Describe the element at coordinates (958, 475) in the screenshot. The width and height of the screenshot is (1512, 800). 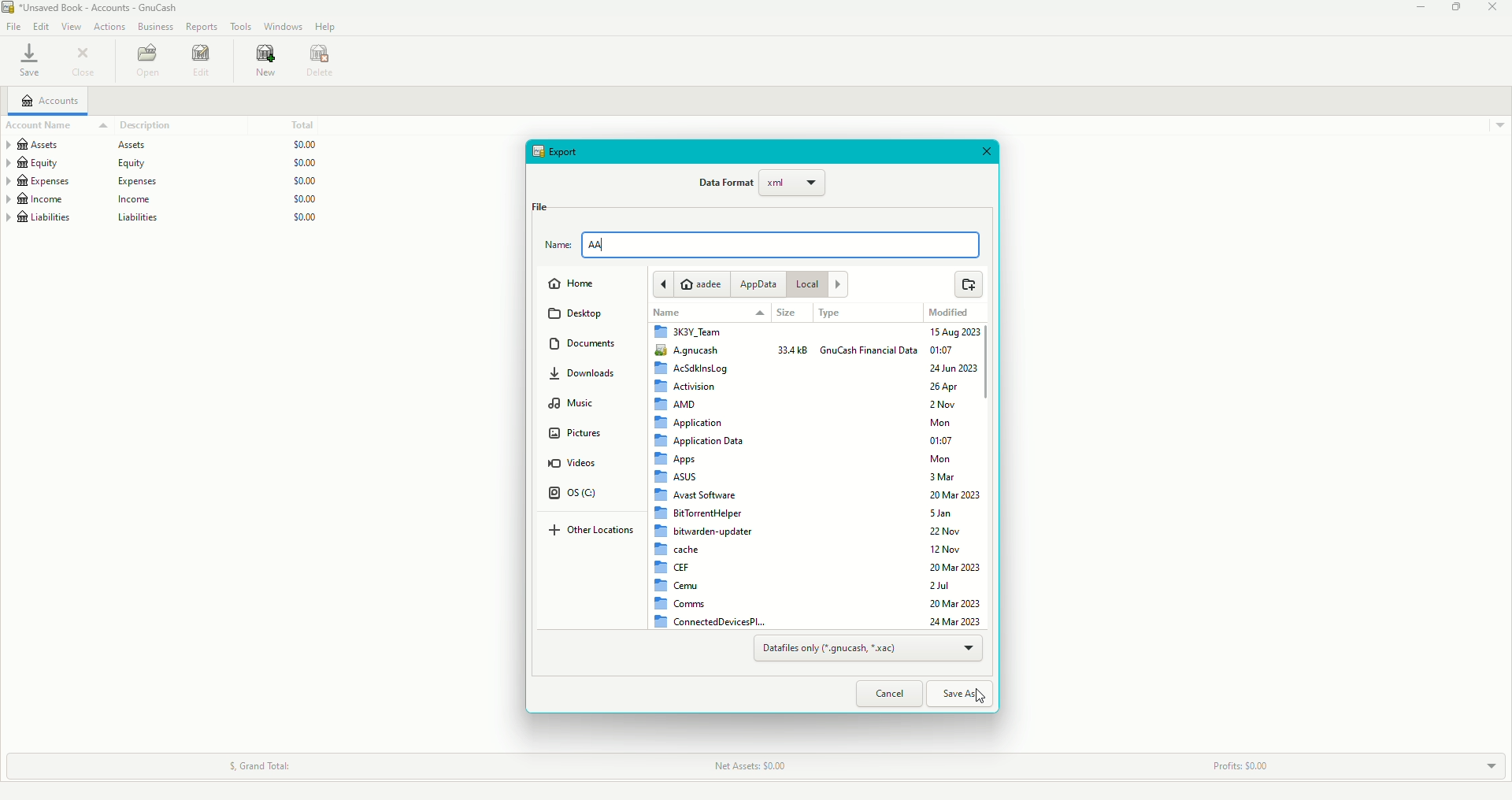
I see `Dates` at that location.